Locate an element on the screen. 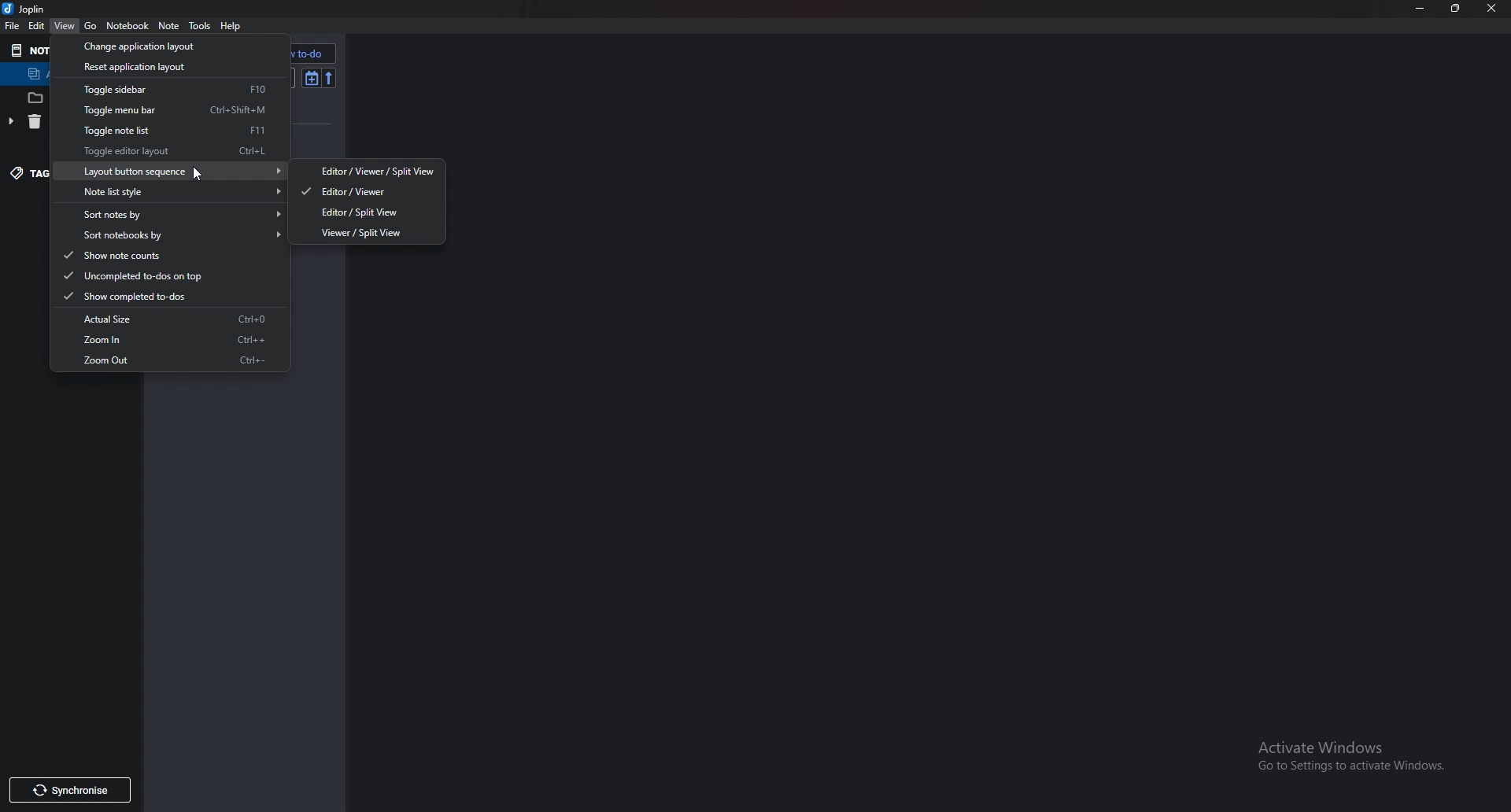  toggle menu bar is located at coordinates (167, 109).